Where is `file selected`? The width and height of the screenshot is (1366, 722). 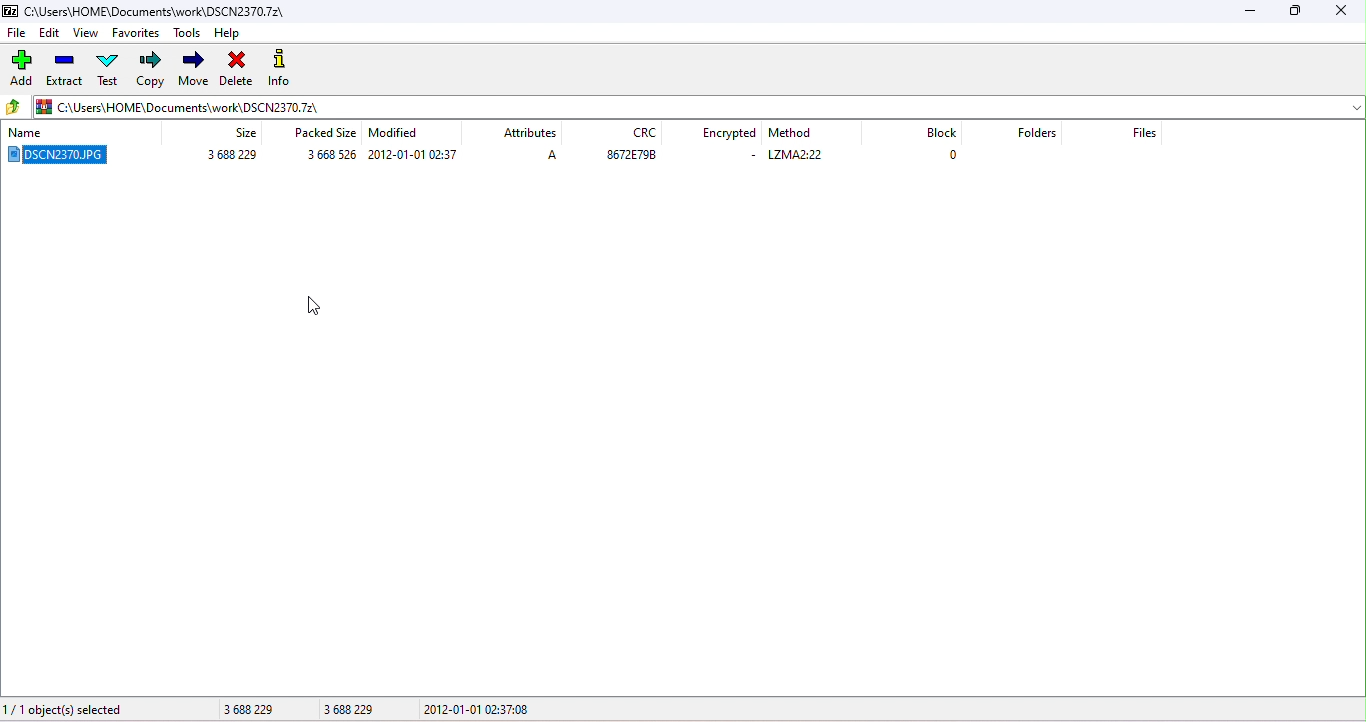 file selected is located at coordinates (69, 158).